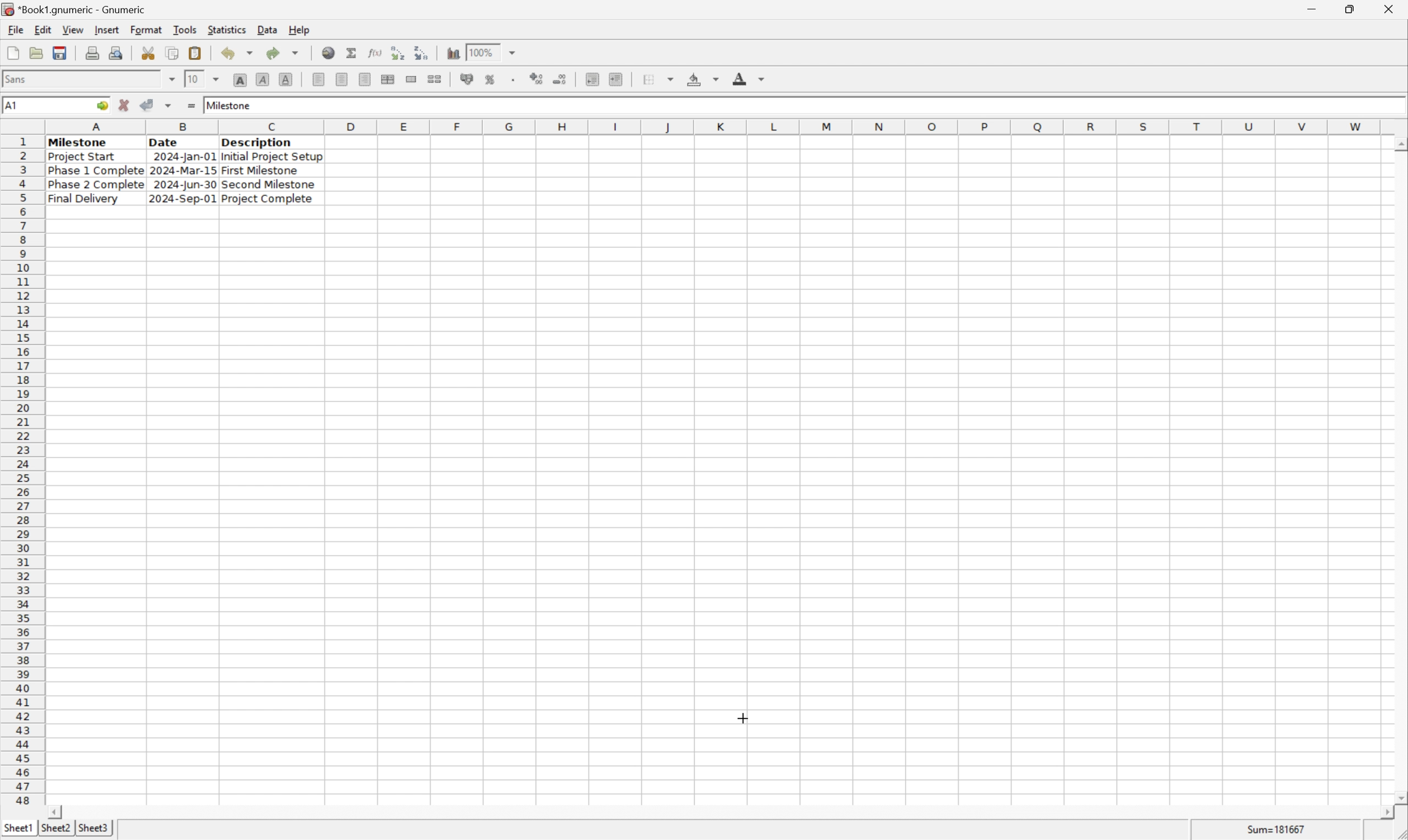 The width and height of the screenshot is (1408, 840). What do you see at coordinates (299, 28) in the screenshot?
I see `help` at bounding box center [299, 28].